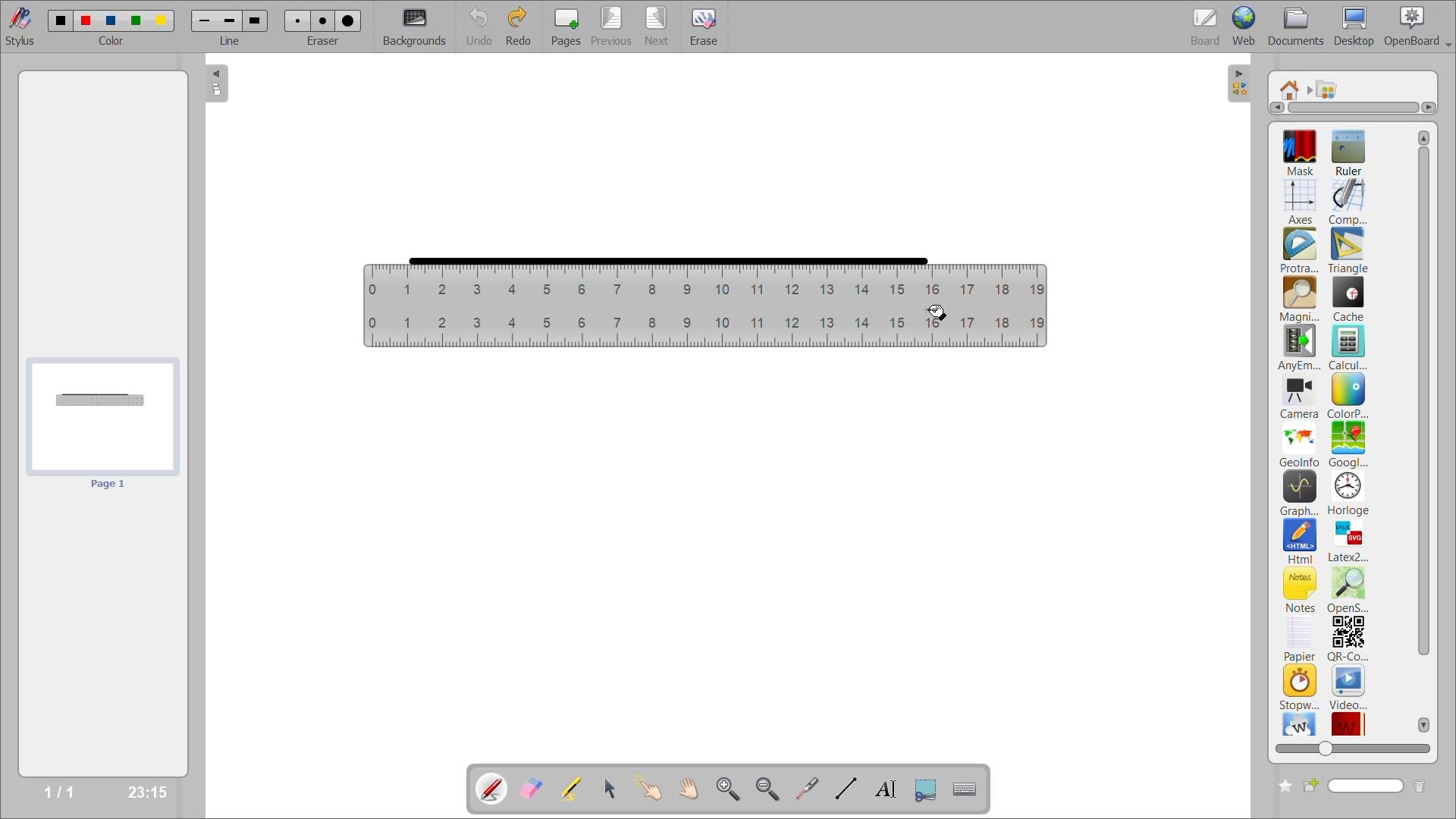 The image size is (1456, 819). I want to click on cache, so click(1349, 299).